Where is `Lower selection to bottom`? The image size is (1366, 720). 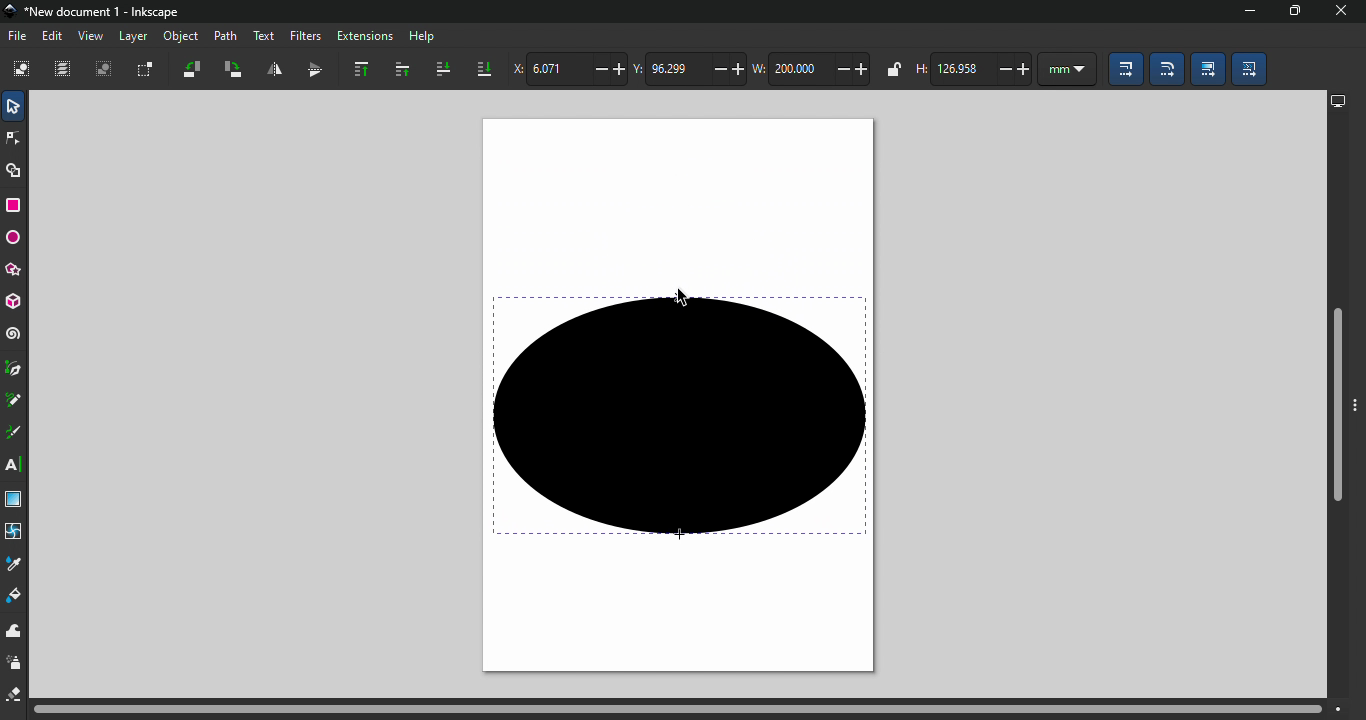
Lower selection to bottom is located at coordinates (482, 71).